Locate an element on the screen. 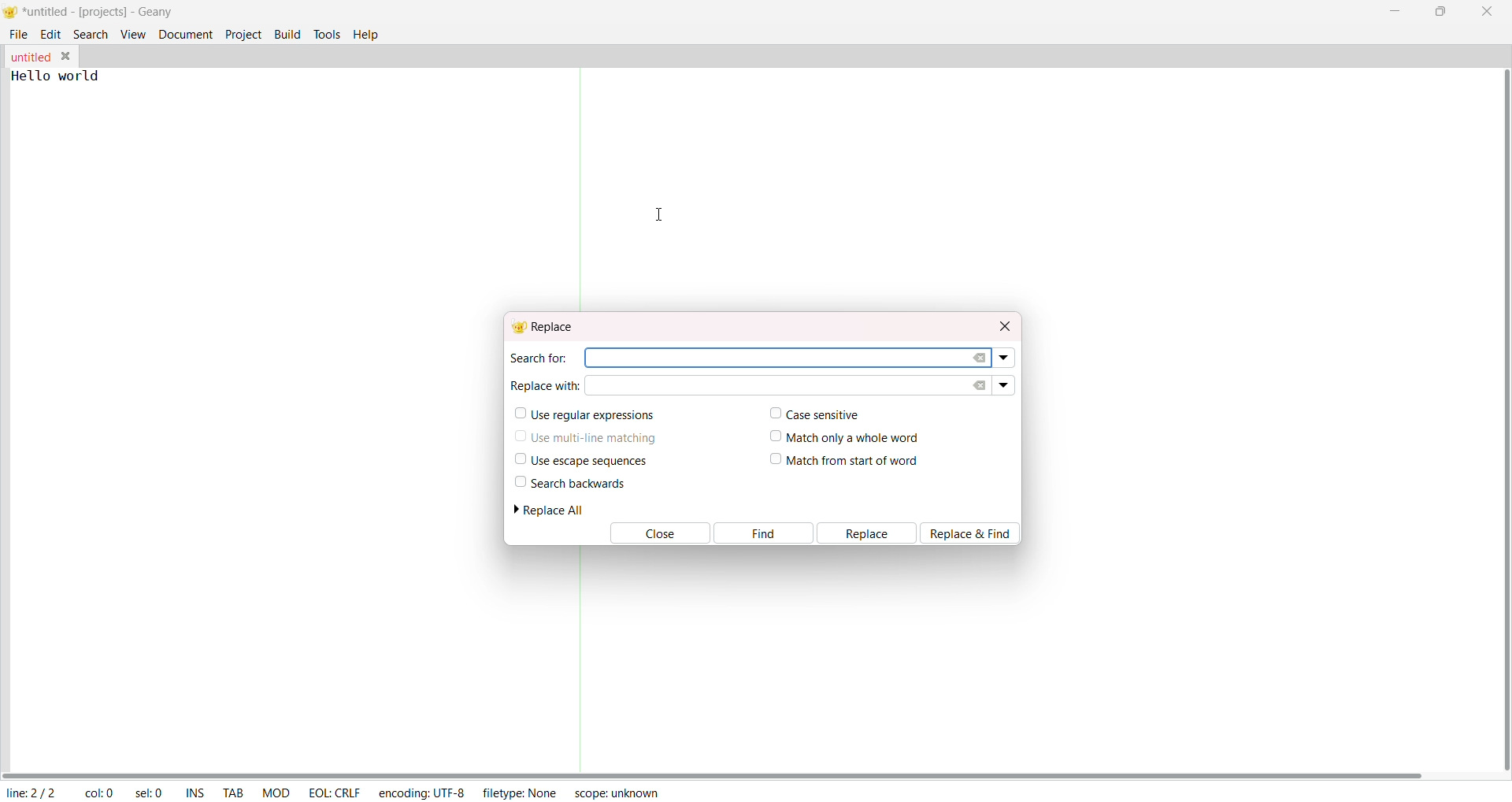  minimize is located at coordinates (1399, 9).